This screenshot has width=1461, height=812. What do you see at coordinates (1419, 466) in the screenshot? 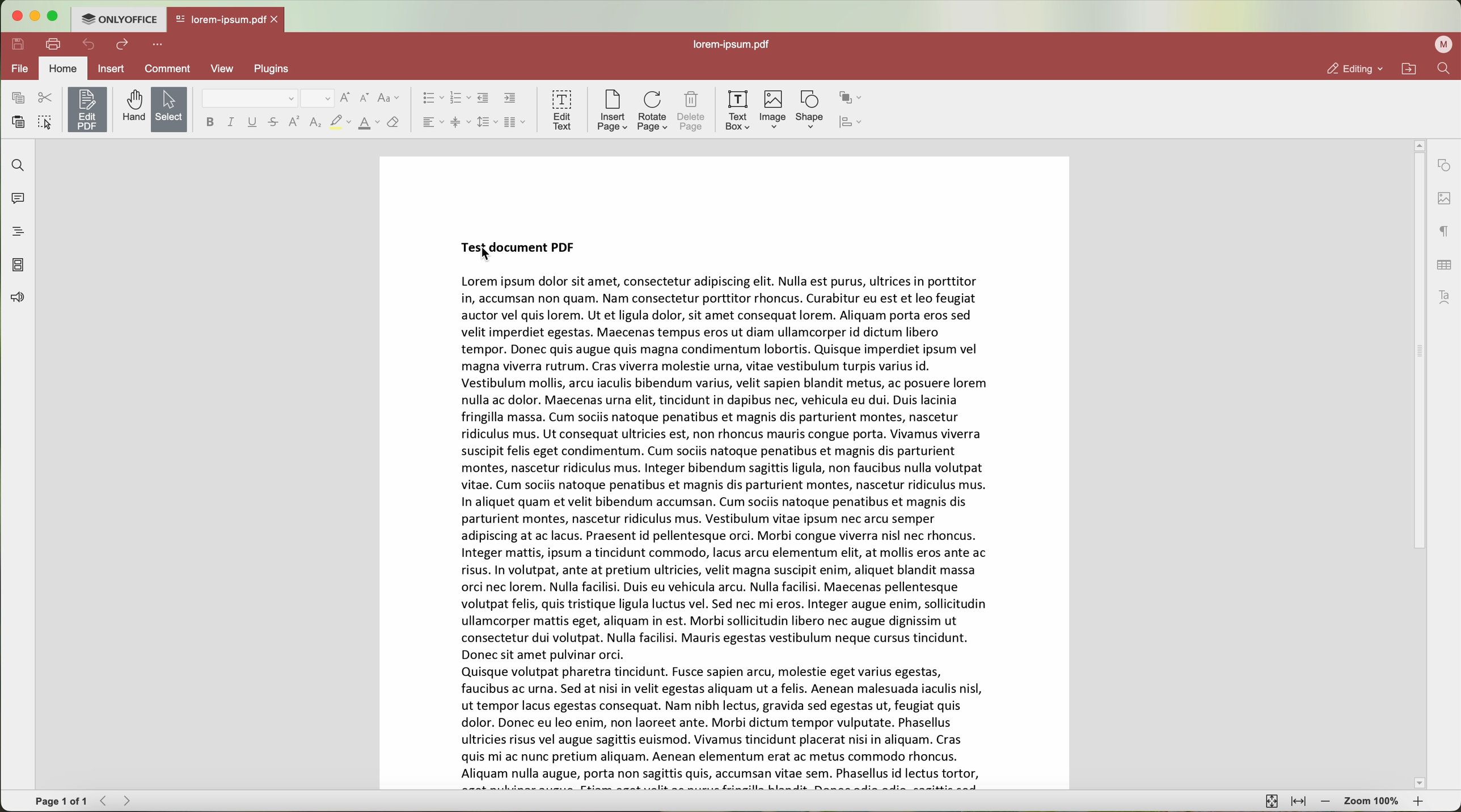
I see `scroll bar` at bounding box center [1419, 466].